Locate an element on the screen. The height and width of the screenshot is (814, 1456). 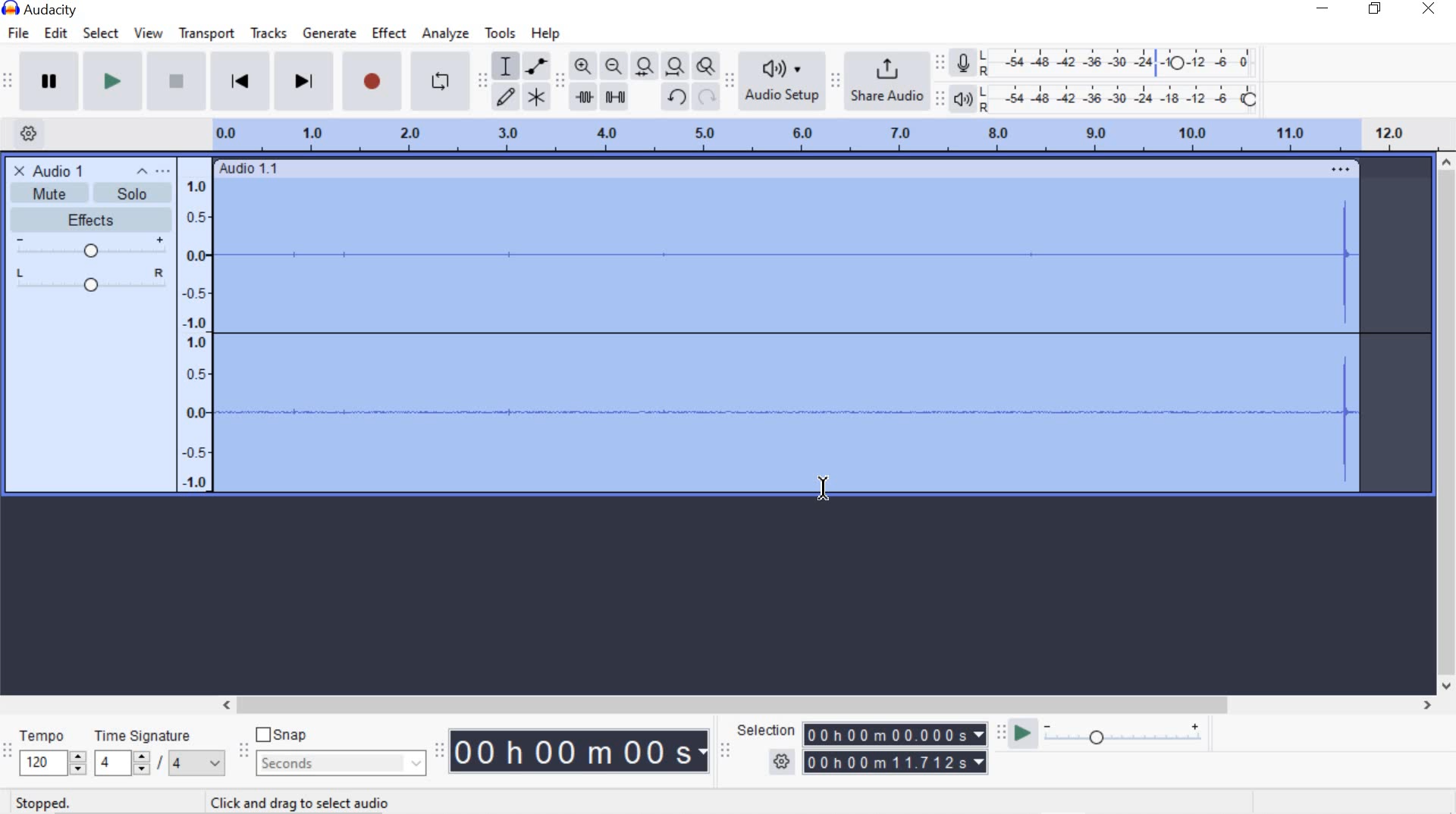
Selection time is located at coordinates (898, 749).